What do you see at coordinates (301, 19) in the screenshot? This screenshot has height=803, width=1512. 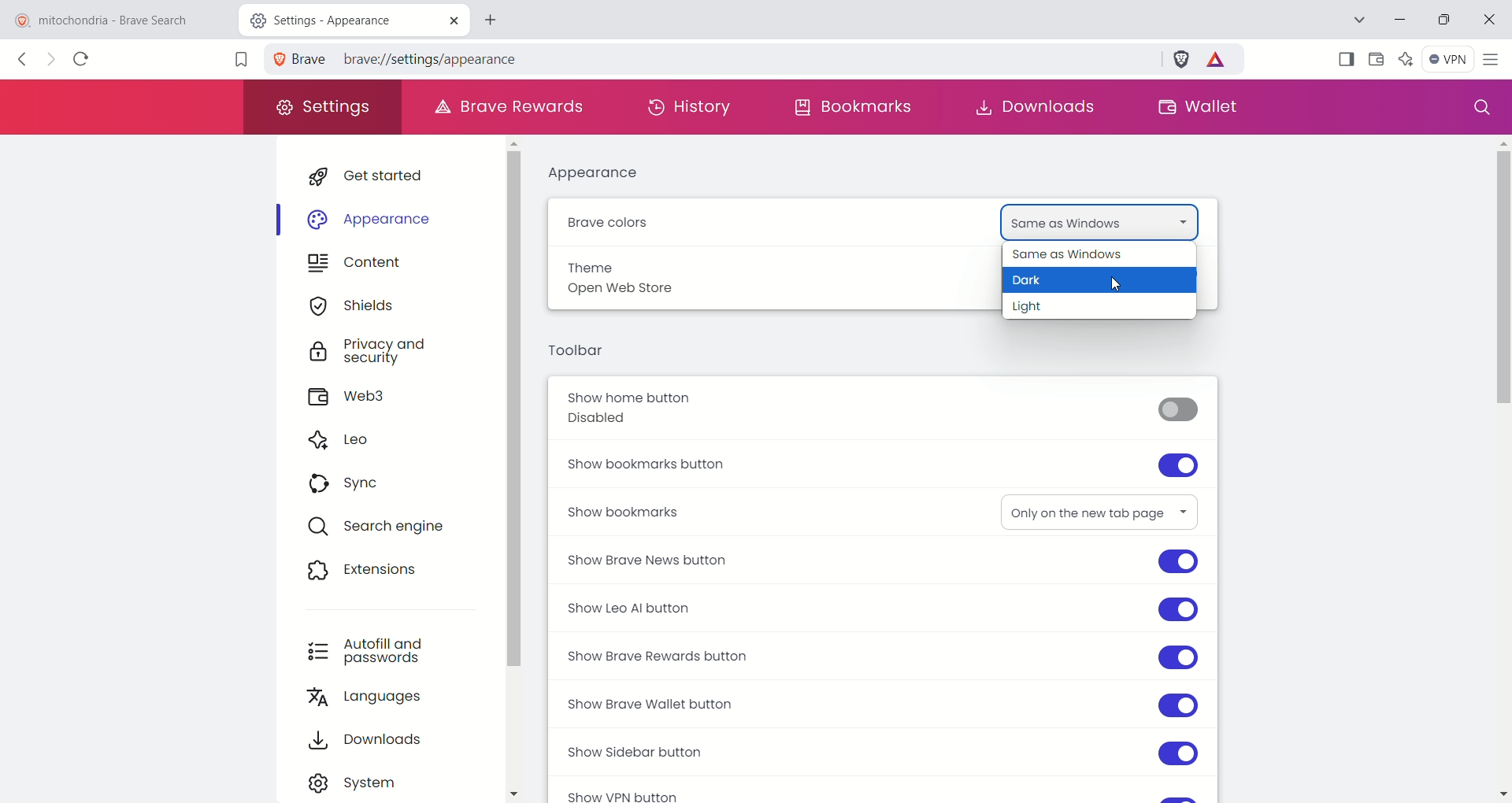 I see `Settings` at bounding box center [301, 19].